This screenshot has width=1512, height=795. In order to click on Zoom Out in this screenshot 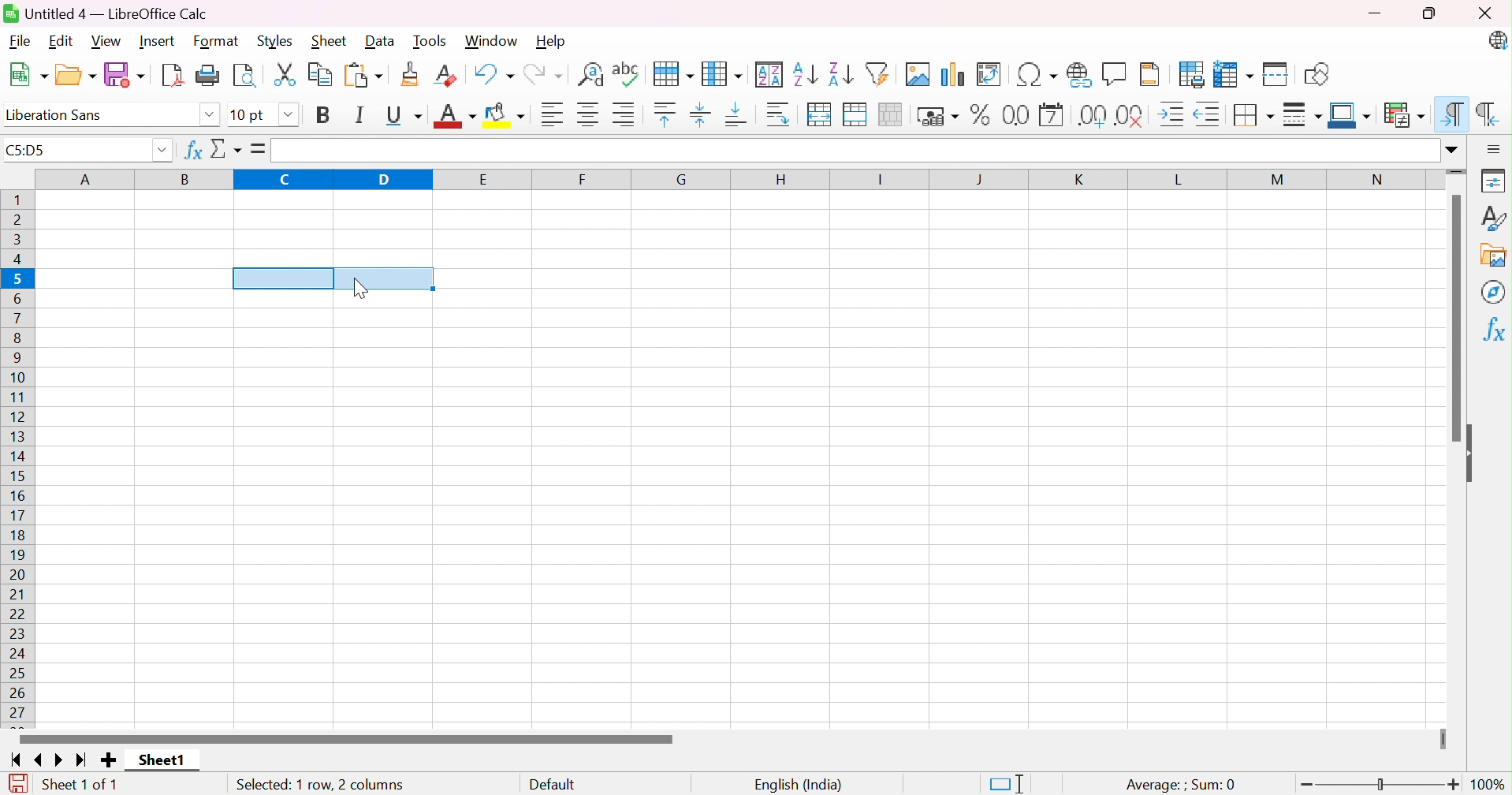, I will do `click(1309, 785)`.